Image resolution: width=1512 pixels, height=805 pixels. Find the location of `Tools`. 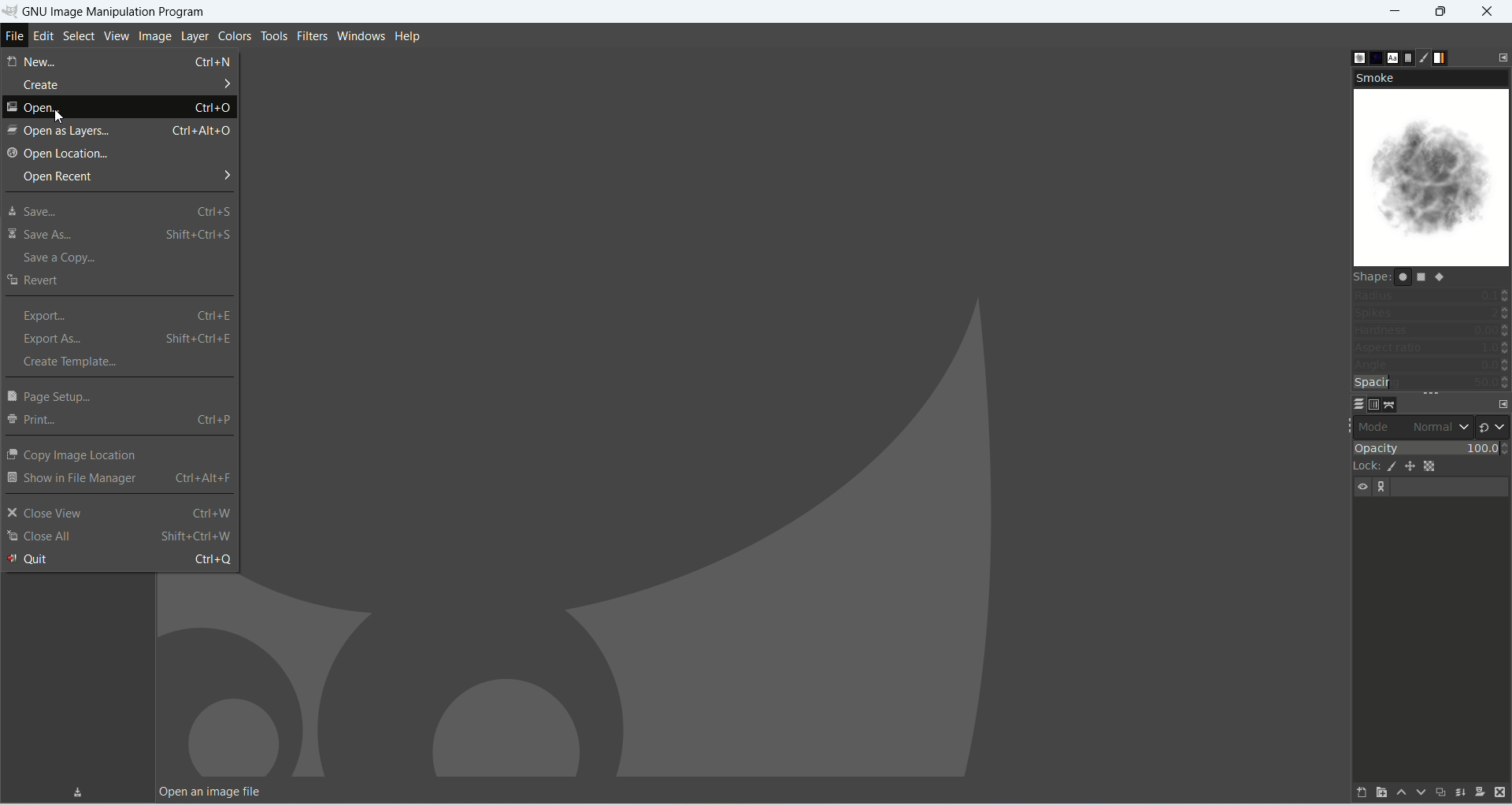

Tools is located at coordinates (272, 34).